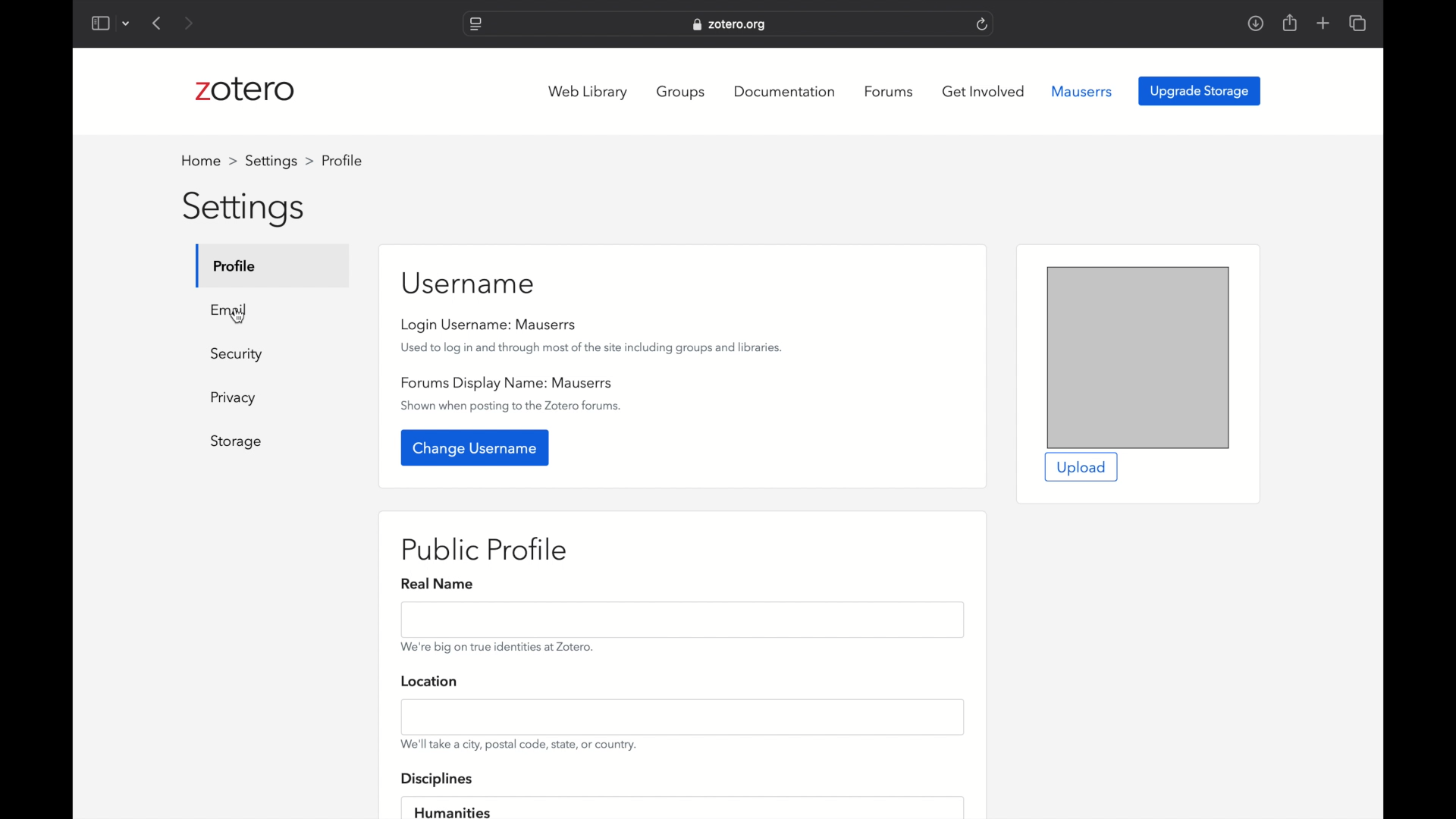 The height and width of the screenshot is (819, 1456). I want to click on privacy, so click(235, 398).